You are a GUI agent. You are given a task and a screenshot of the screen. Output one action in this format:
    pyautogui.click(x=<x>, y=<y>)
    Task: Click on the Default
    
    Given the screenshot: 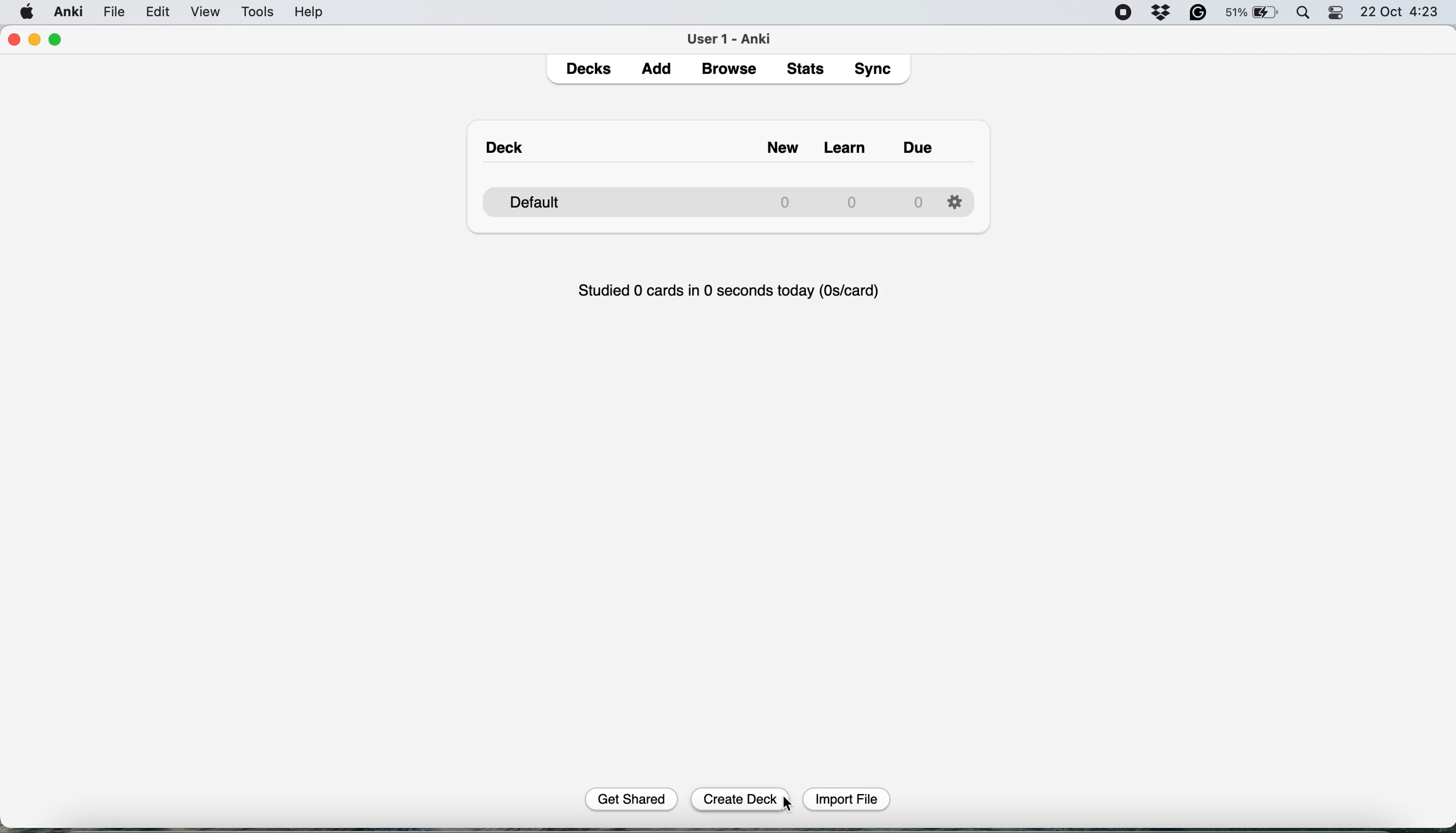 What is the action you would take?
    pyautogui.click(x=702, y=198)
    